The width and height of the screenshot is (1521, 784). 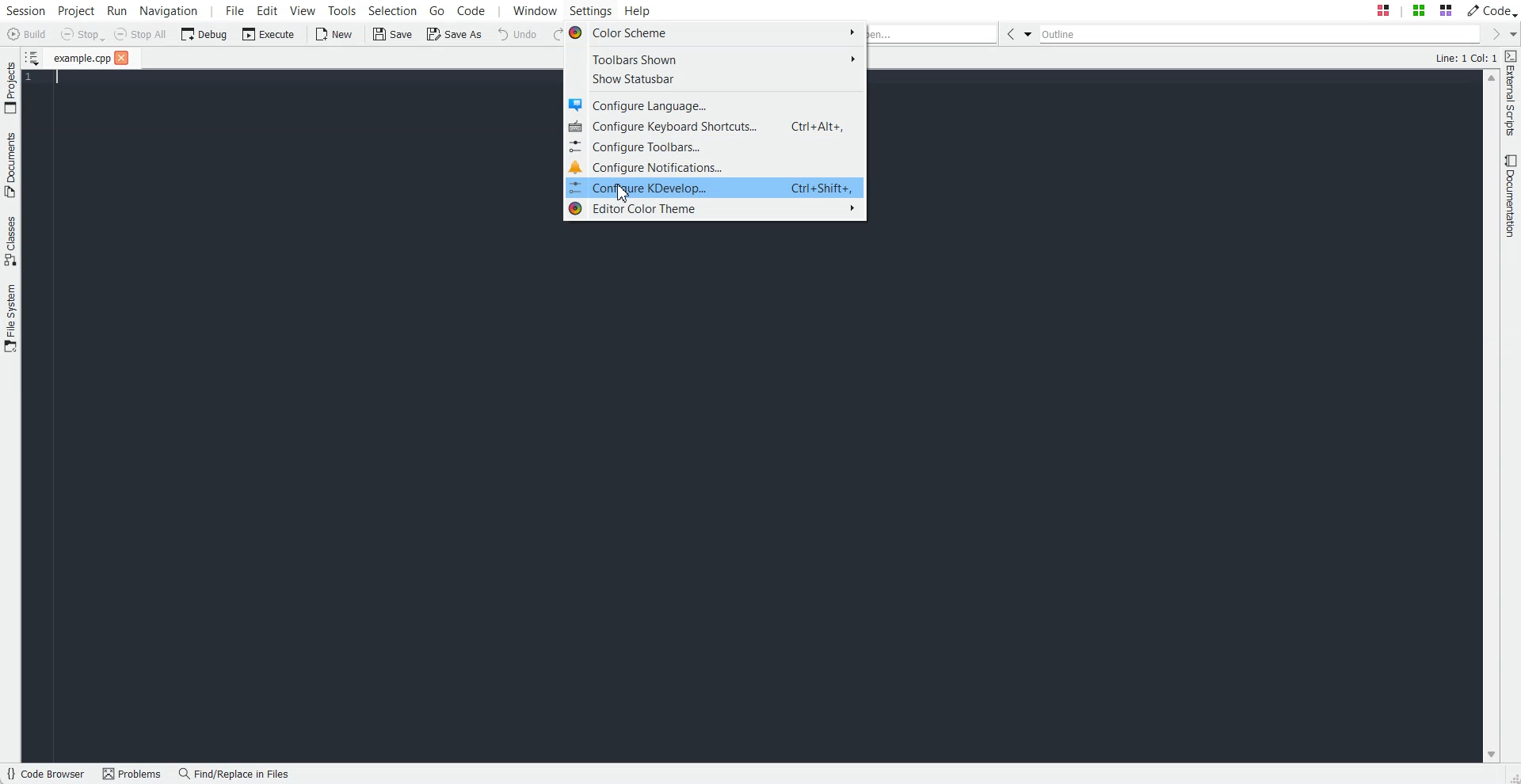 I want to click on Cursor, so click(x=623, y=193).